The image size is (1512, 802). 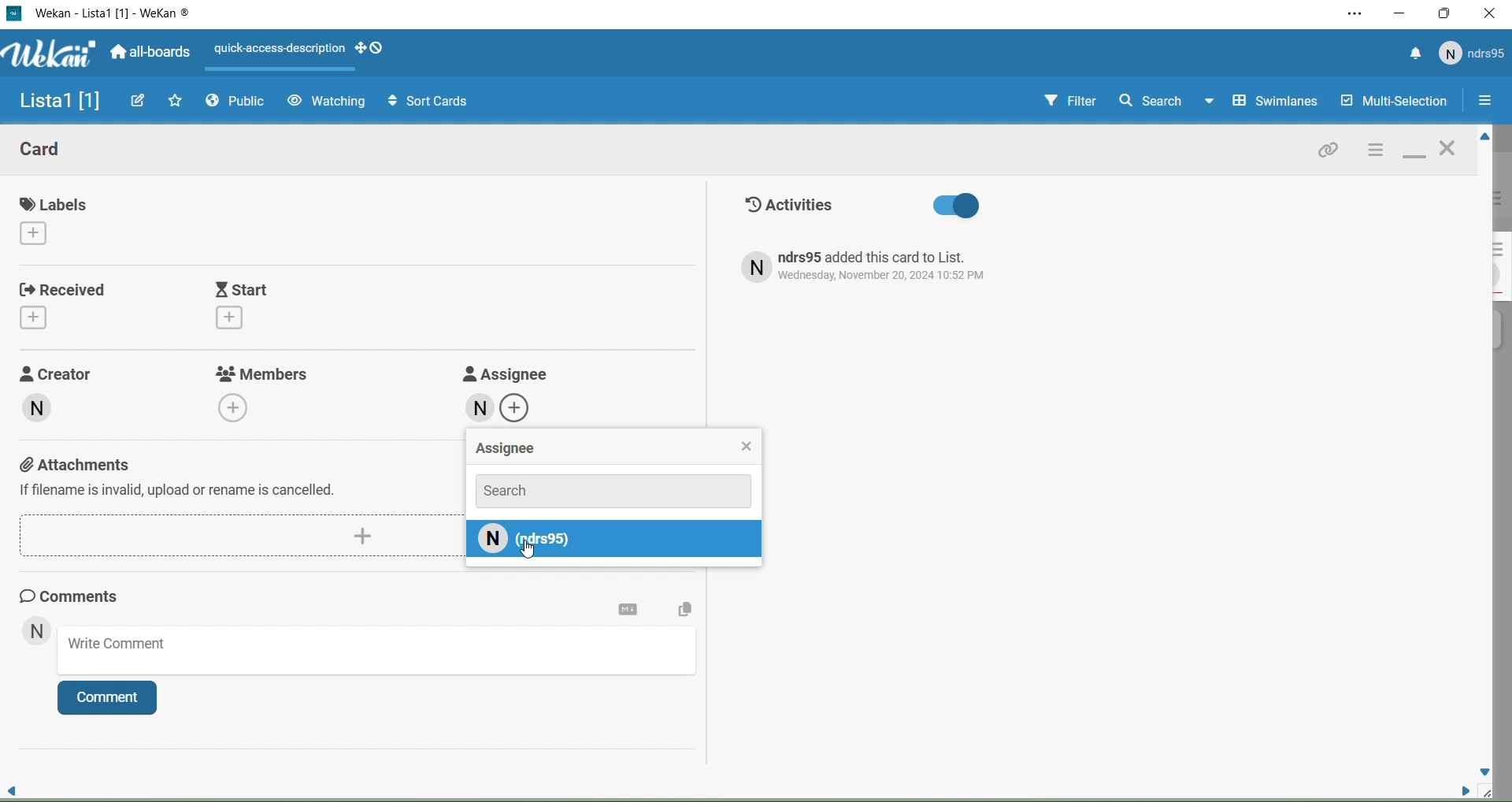 What do you see at coordinates (376, 52) in the screenshot?
I see `drag handles` at bounding box center [376, 52].